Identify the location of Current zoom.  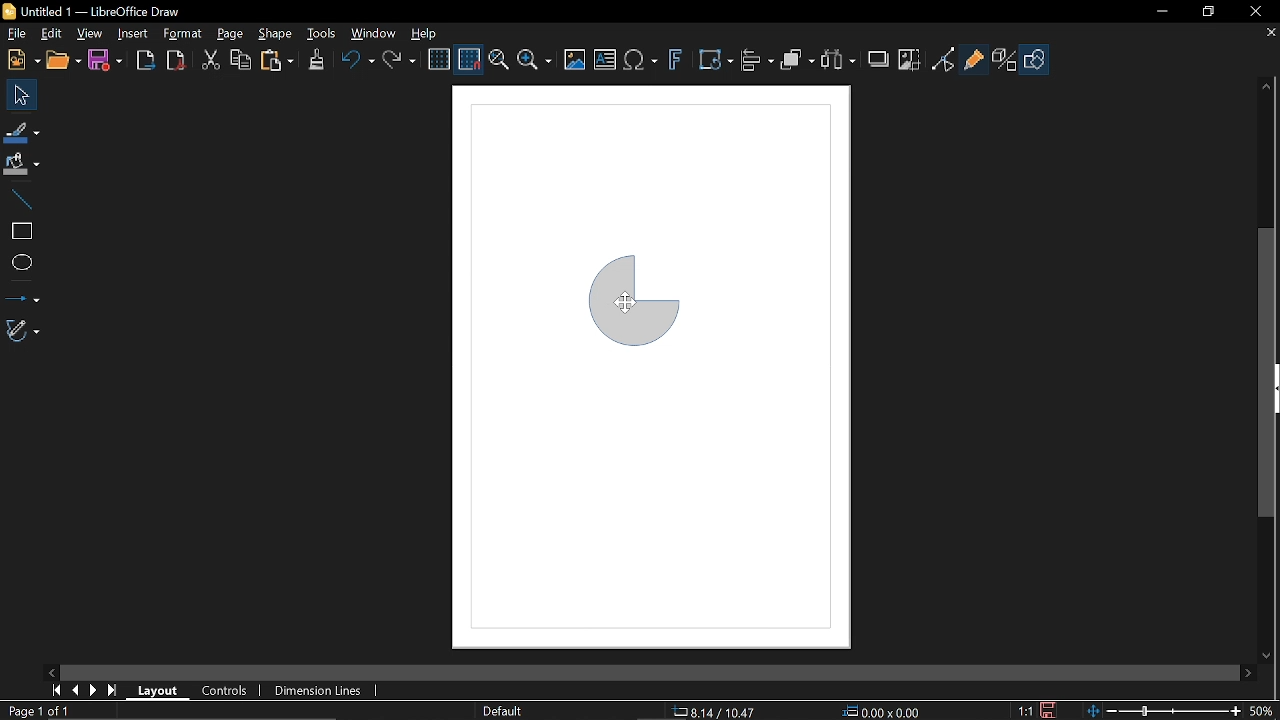
(1265, 711).